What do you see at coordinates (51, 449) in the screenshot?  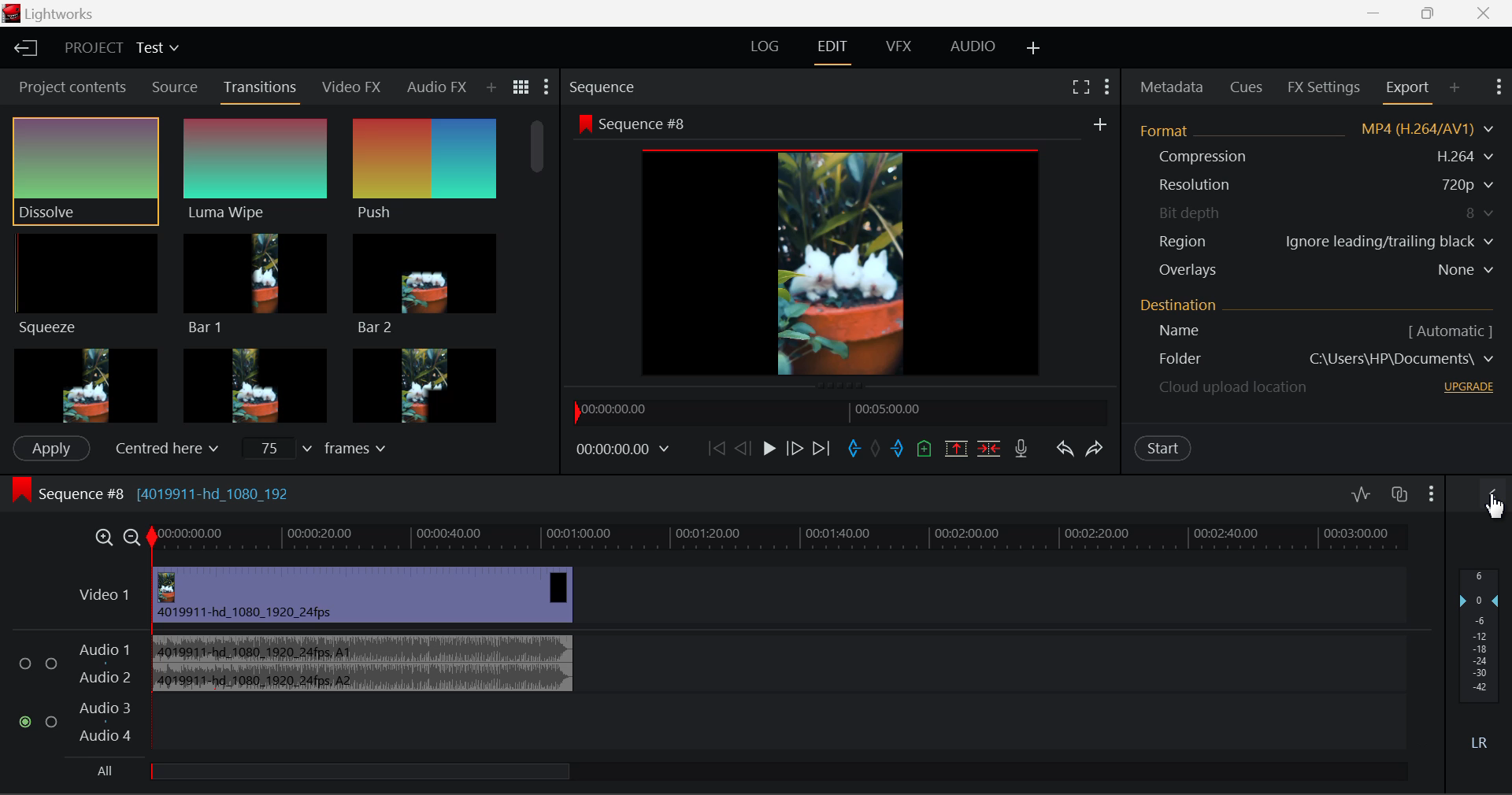 I see `Apply` at bounding box center [51, 449].